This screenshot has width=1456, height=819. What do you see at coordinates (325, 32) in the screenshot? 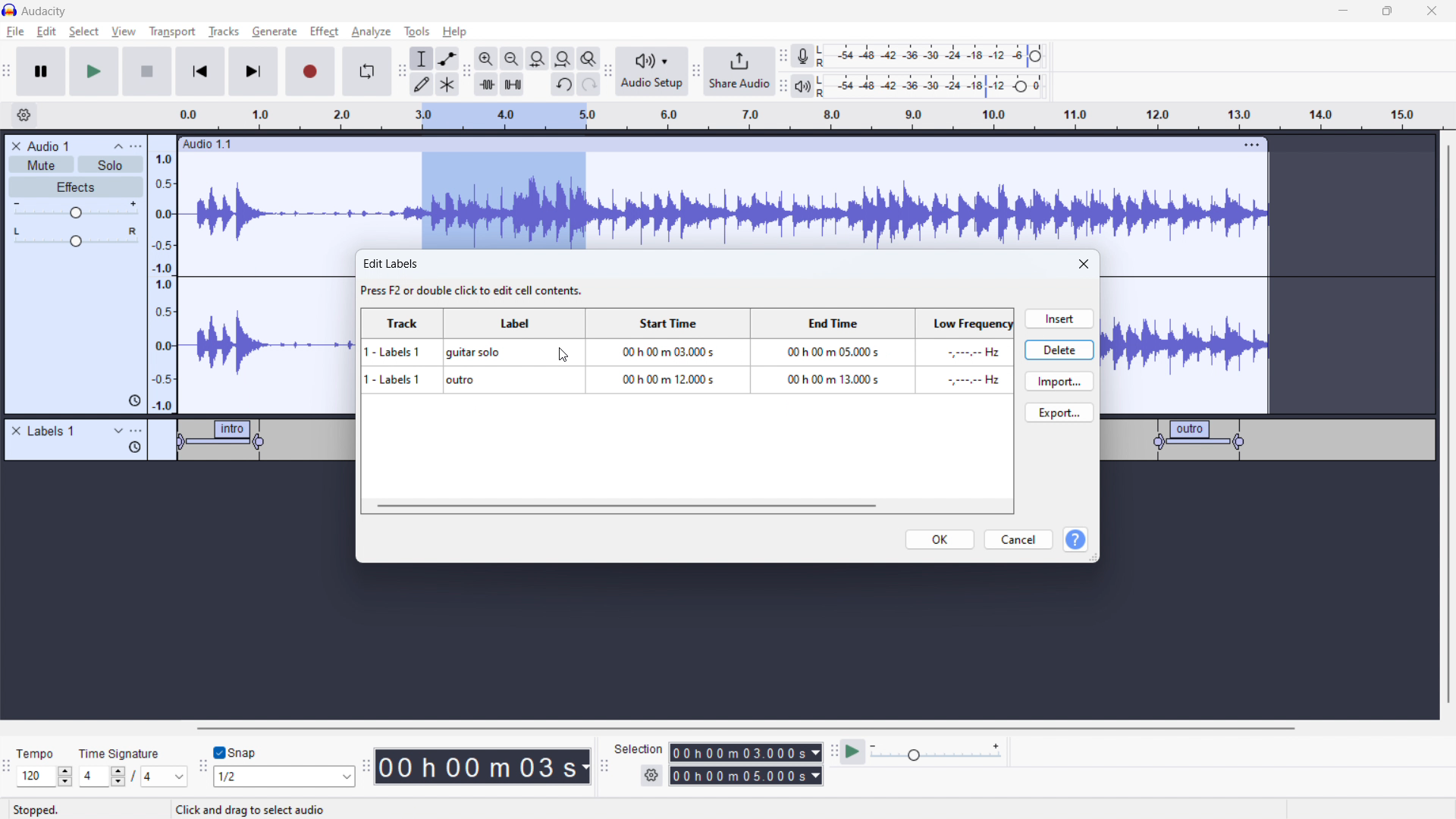
I see `effect` at bounding box center [325, 32].